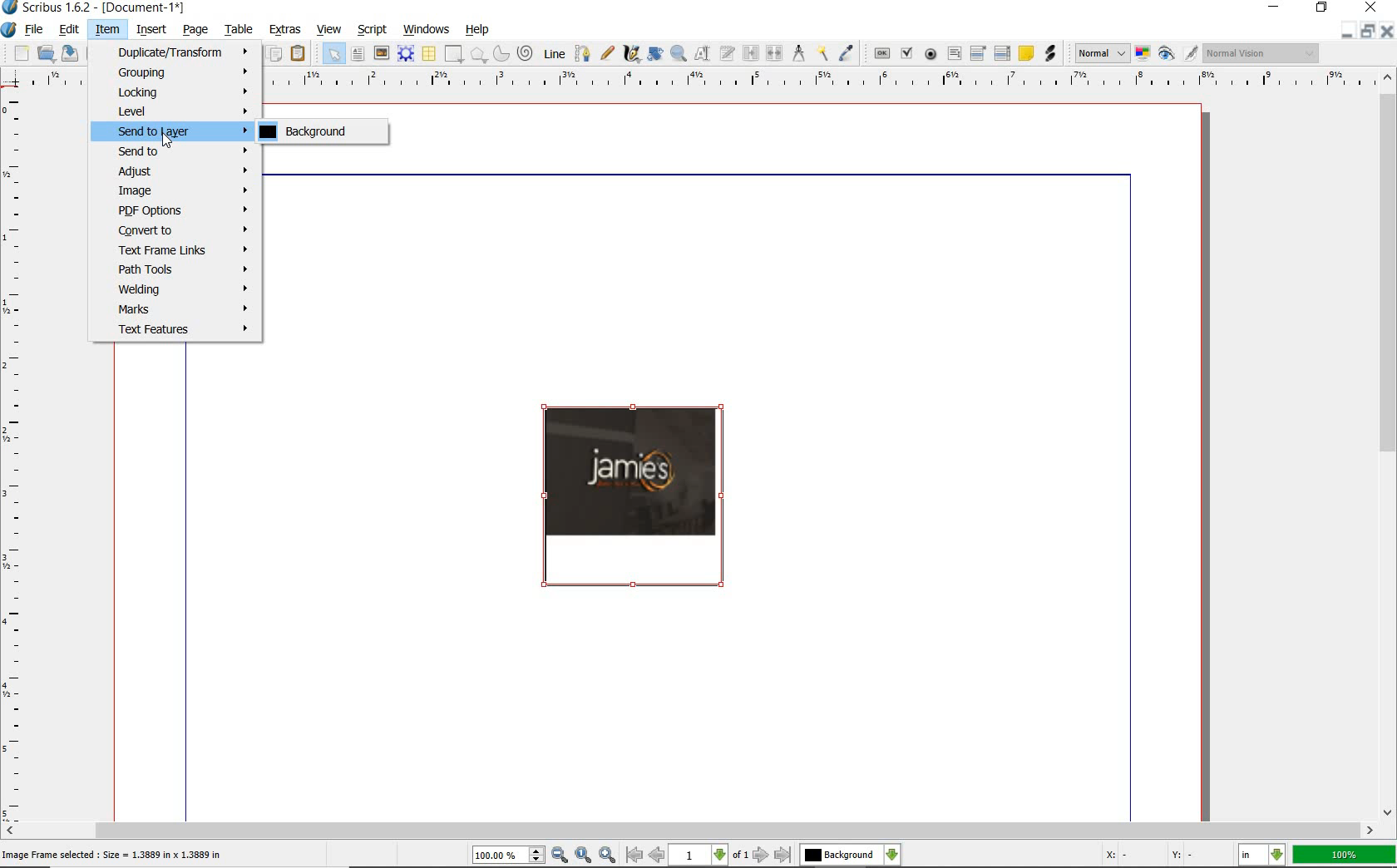 The width and height of the screenshot is (1397, 868). I want to click on Bezier curve, so click(583, 52).